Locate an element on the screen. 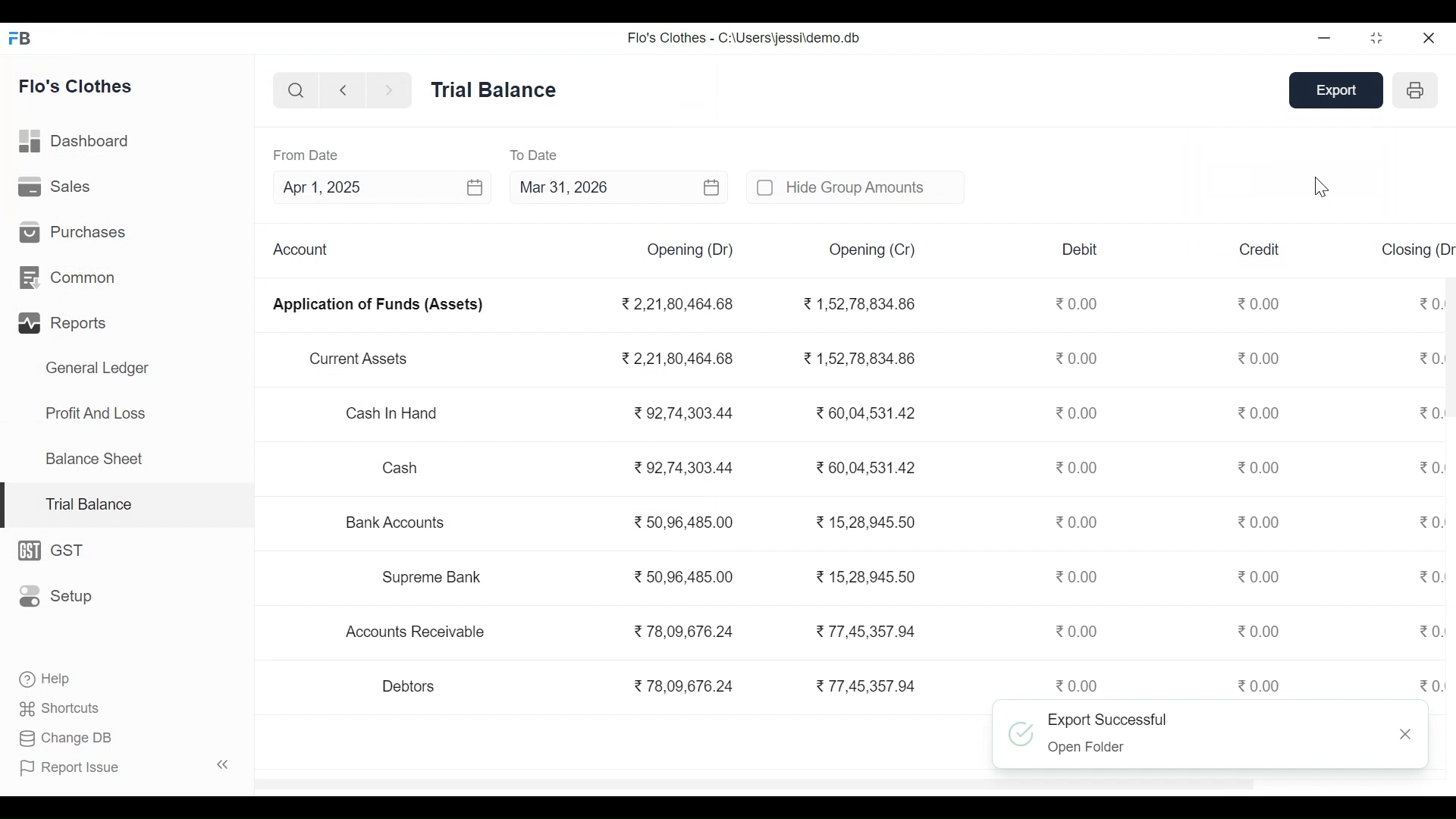 The image size is (1456, 819). Search is located at coordinates (293, 89).